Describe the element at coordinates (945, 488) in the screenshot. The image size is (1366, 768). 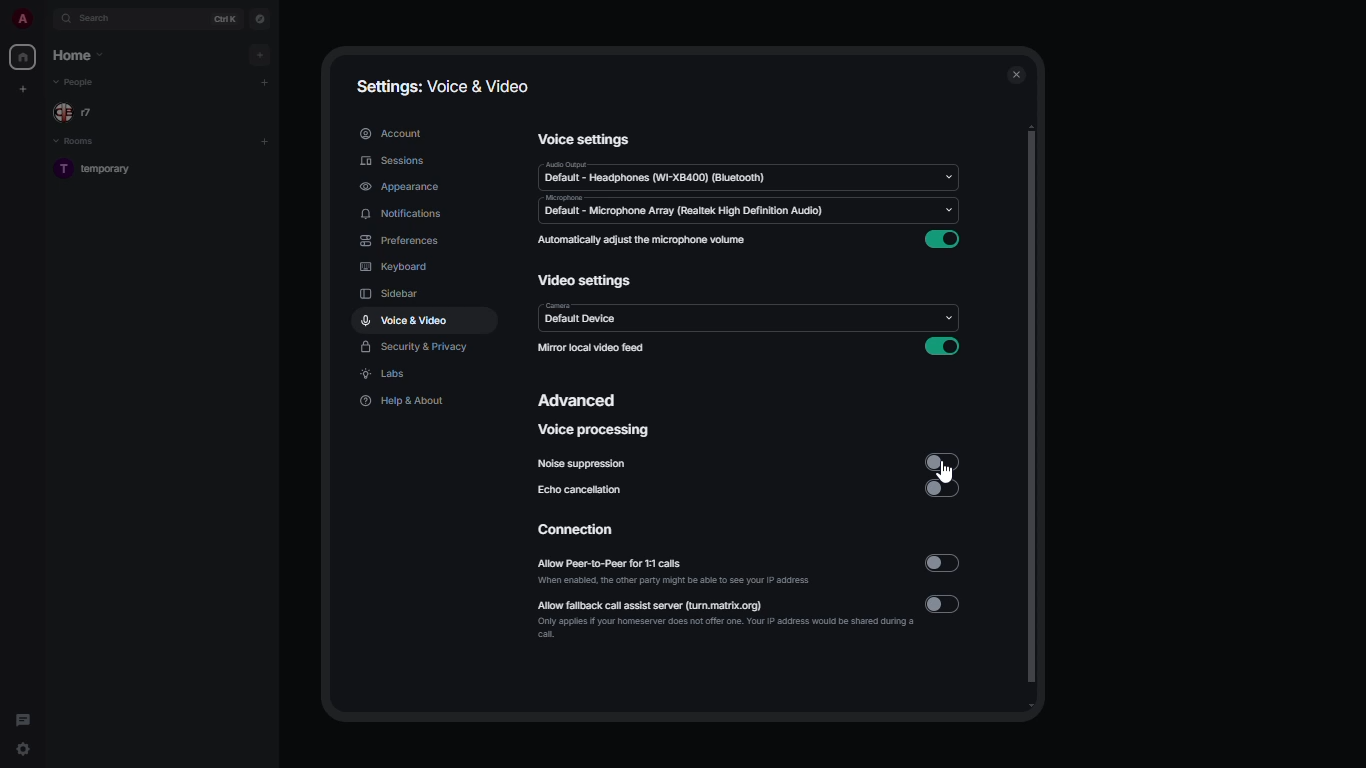
I see `disabled` at that location.